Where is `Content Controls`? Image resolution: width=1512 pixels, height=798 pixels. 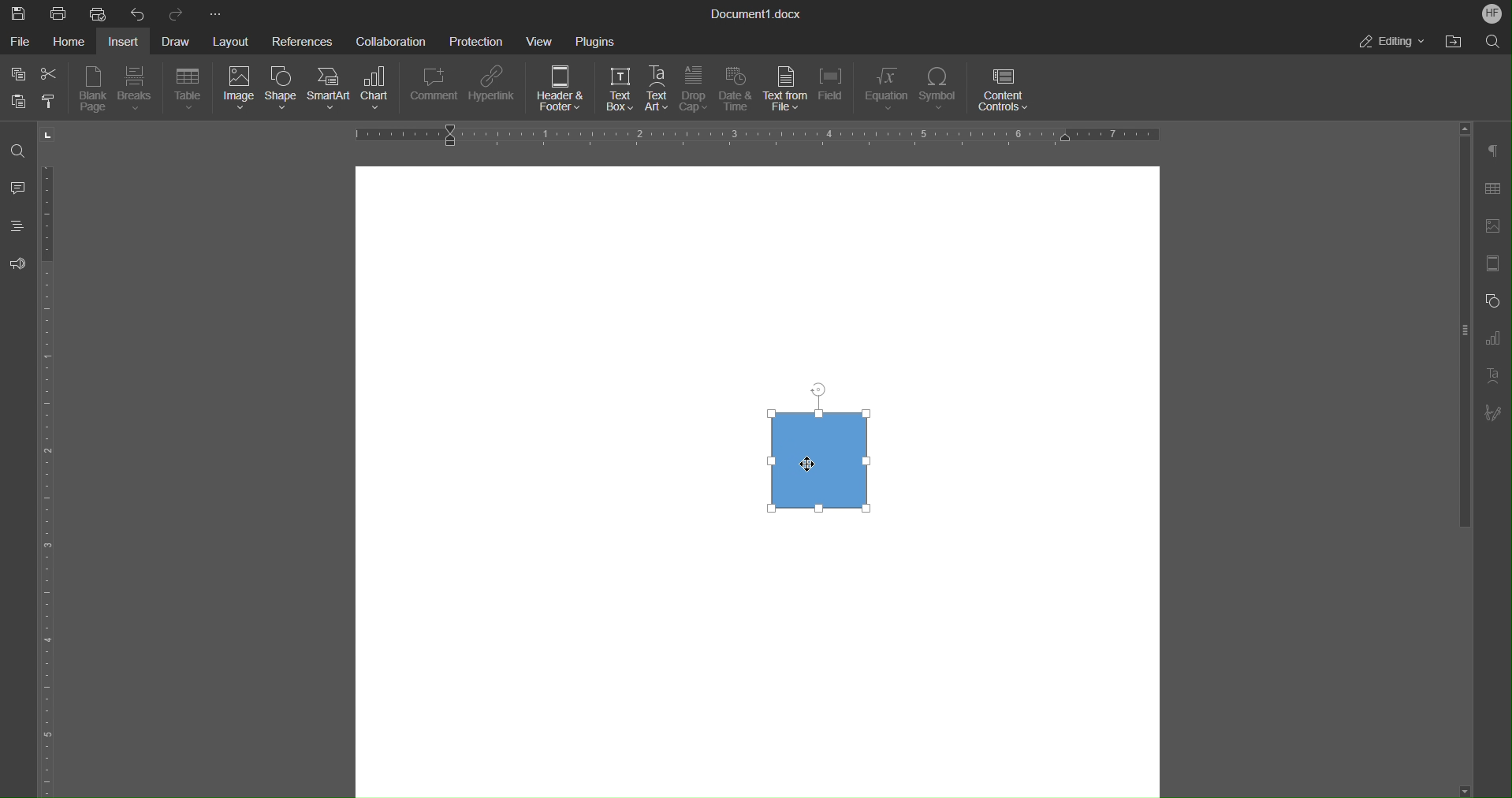
Content Controls is located at coordinates (1005, 91).